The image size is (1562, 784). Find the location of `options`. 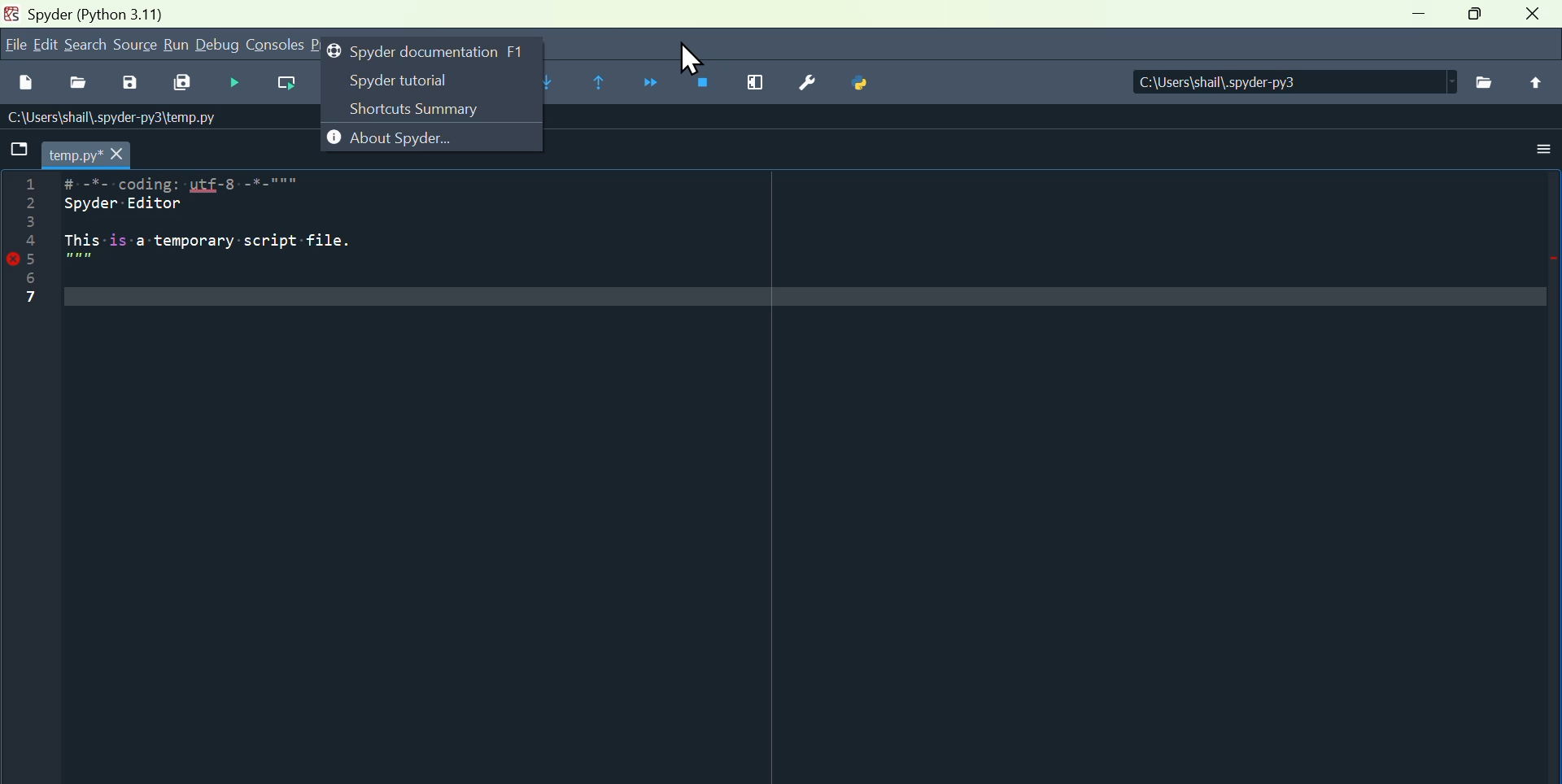

options is located at coordinates (1544, 149).